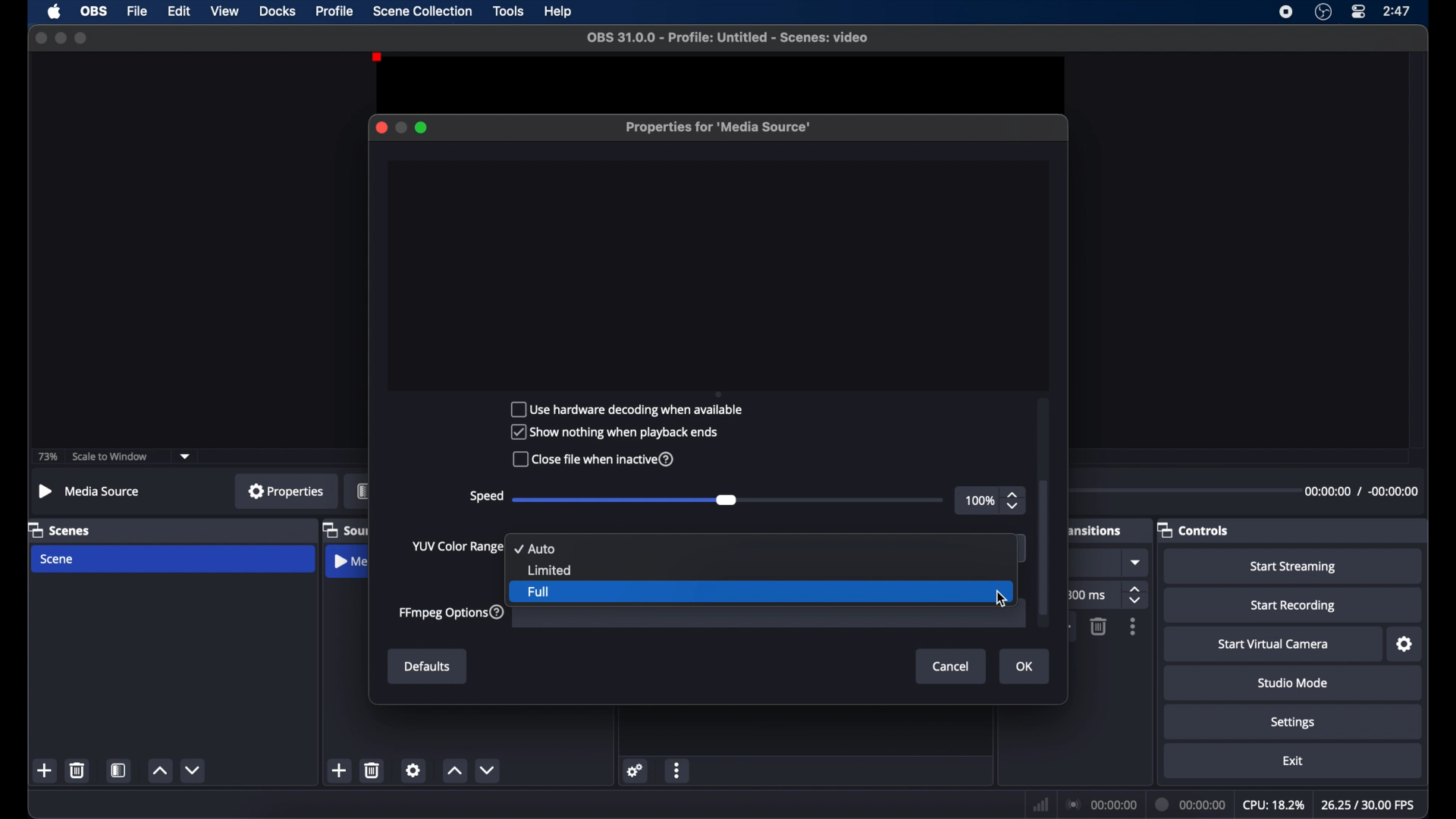  What do you see at coordinates (59, 38) in the screenshot?
I see `minimize` at bounding box center [59, 38].